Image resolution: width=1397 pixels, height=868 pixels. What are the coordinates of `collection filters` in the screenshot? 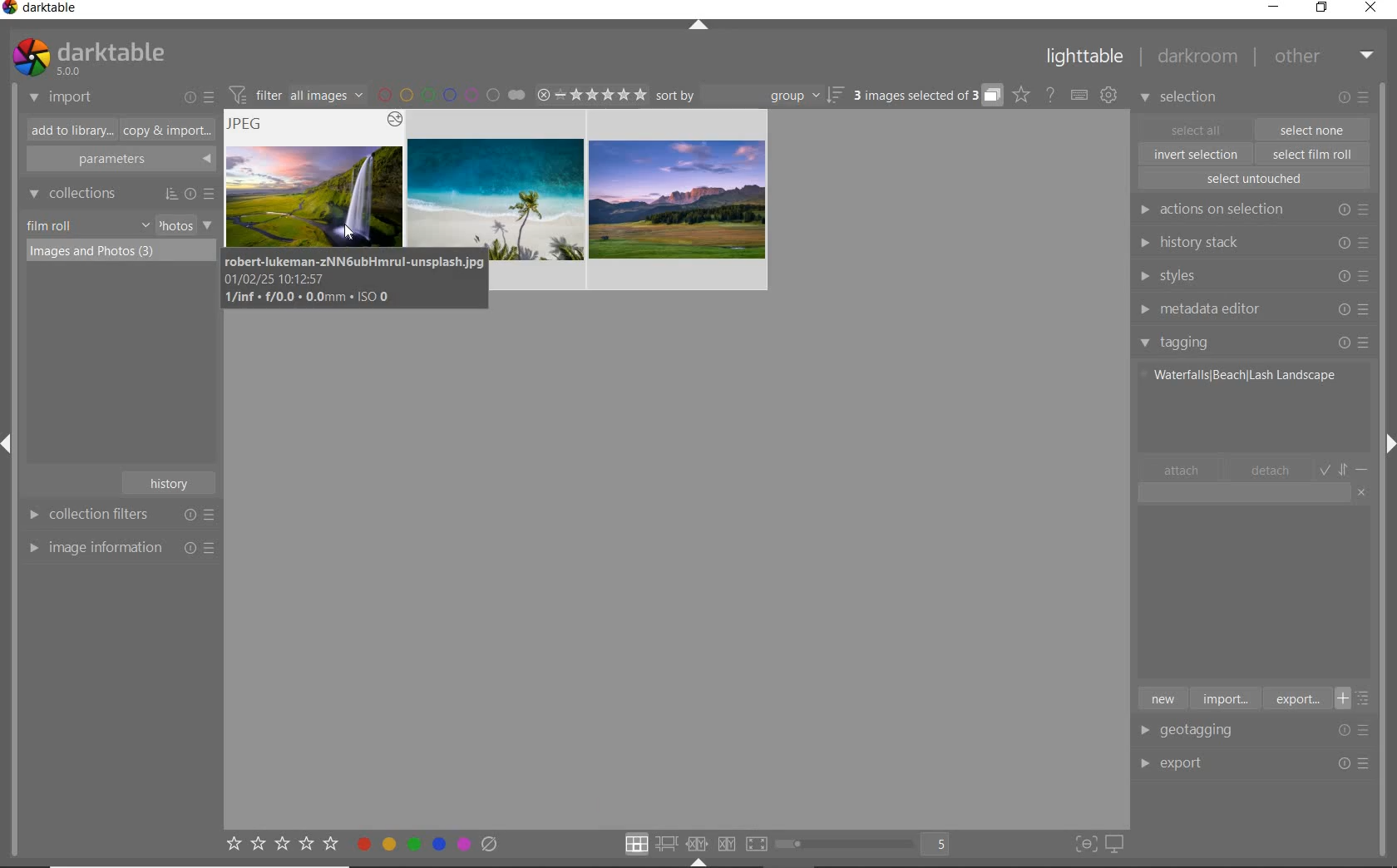 It's located at (119, 514).